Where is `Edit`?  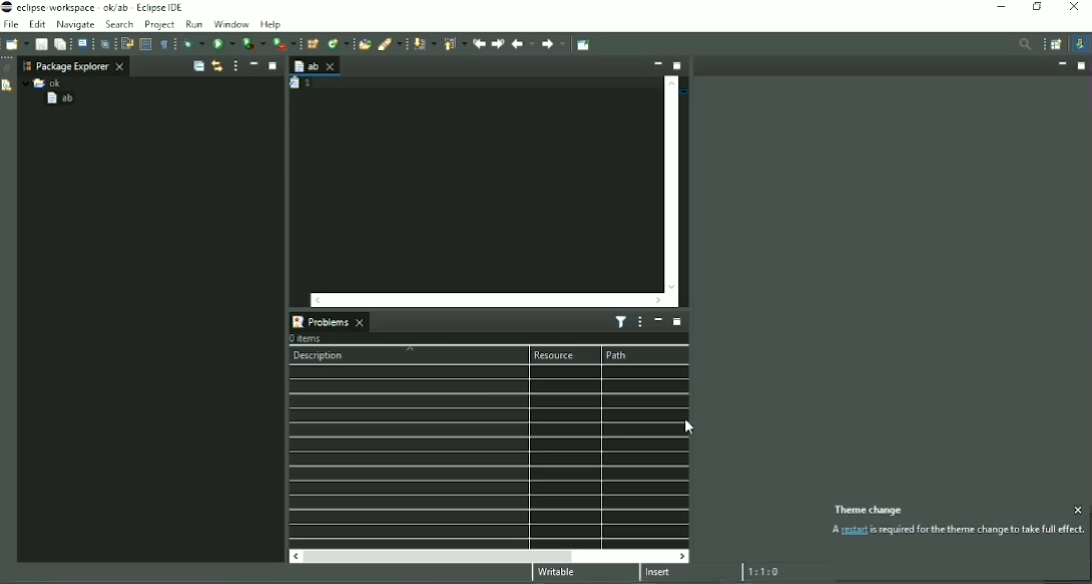
Edit is located at coordinates (37, 25).